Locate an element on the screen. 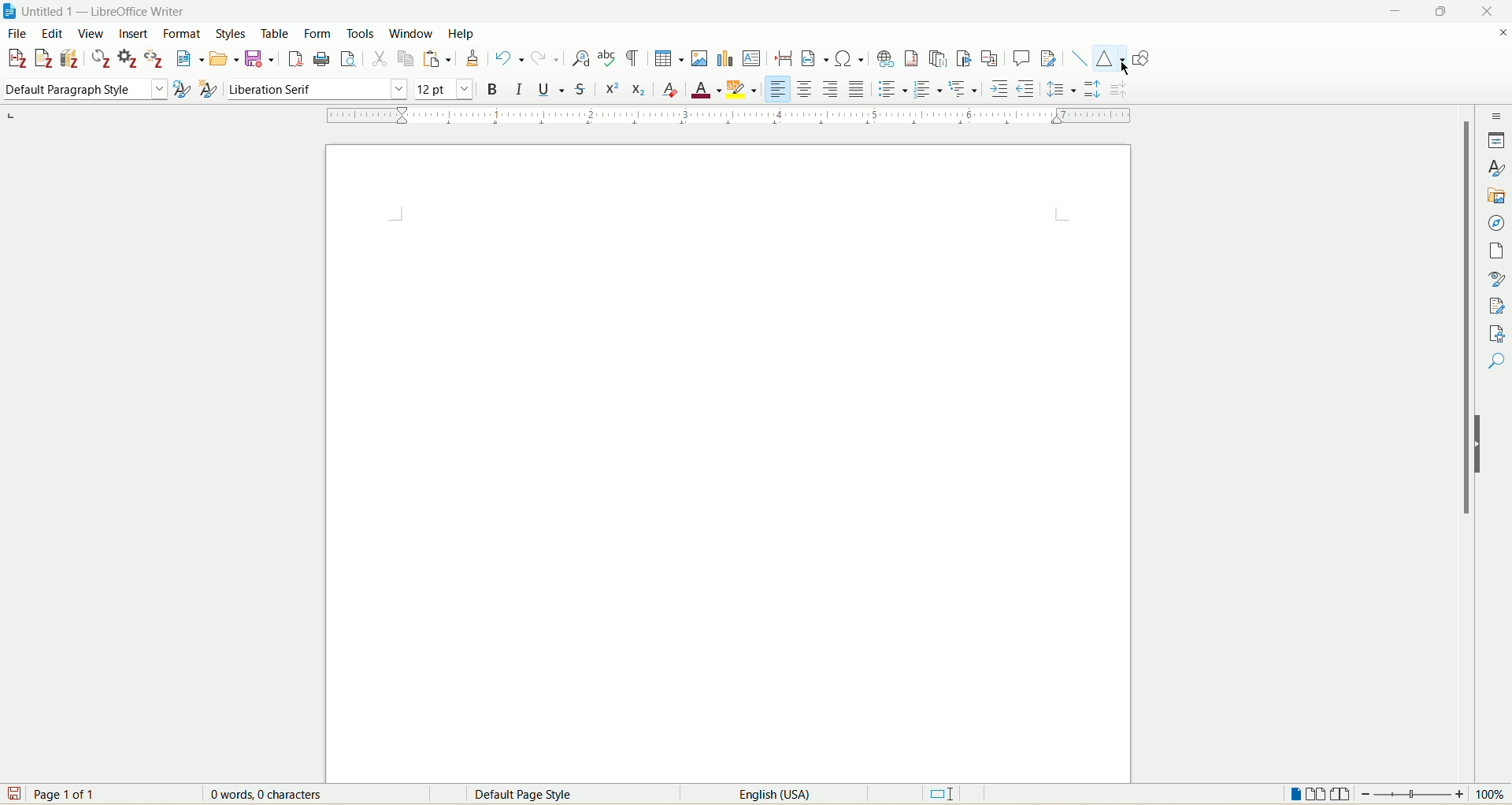 The width and height of the screenshot is (1512, 805). close document is located at coordinates (1503, 33).